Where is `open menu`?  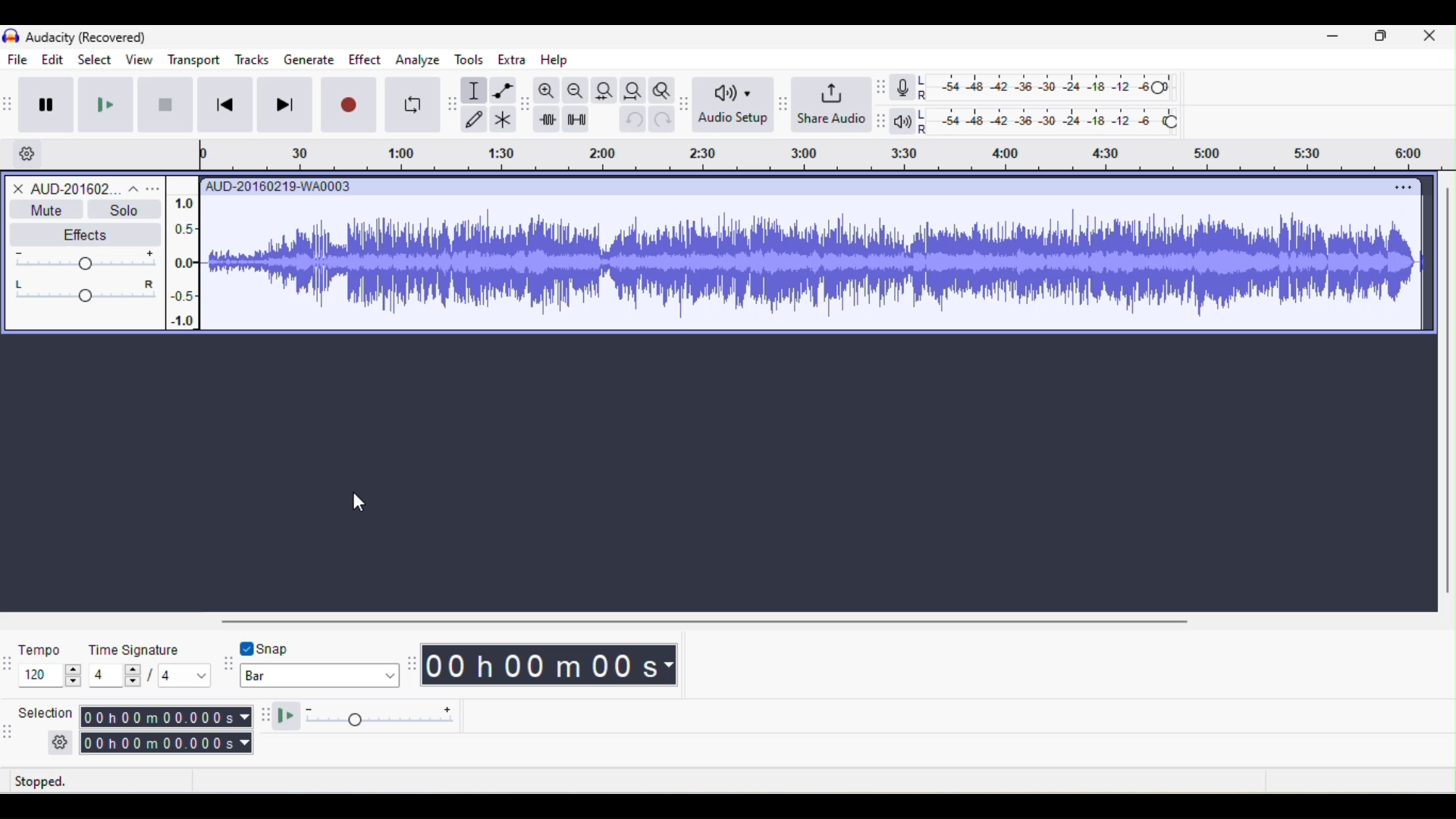 open menu is located at coordinates (154, 188).